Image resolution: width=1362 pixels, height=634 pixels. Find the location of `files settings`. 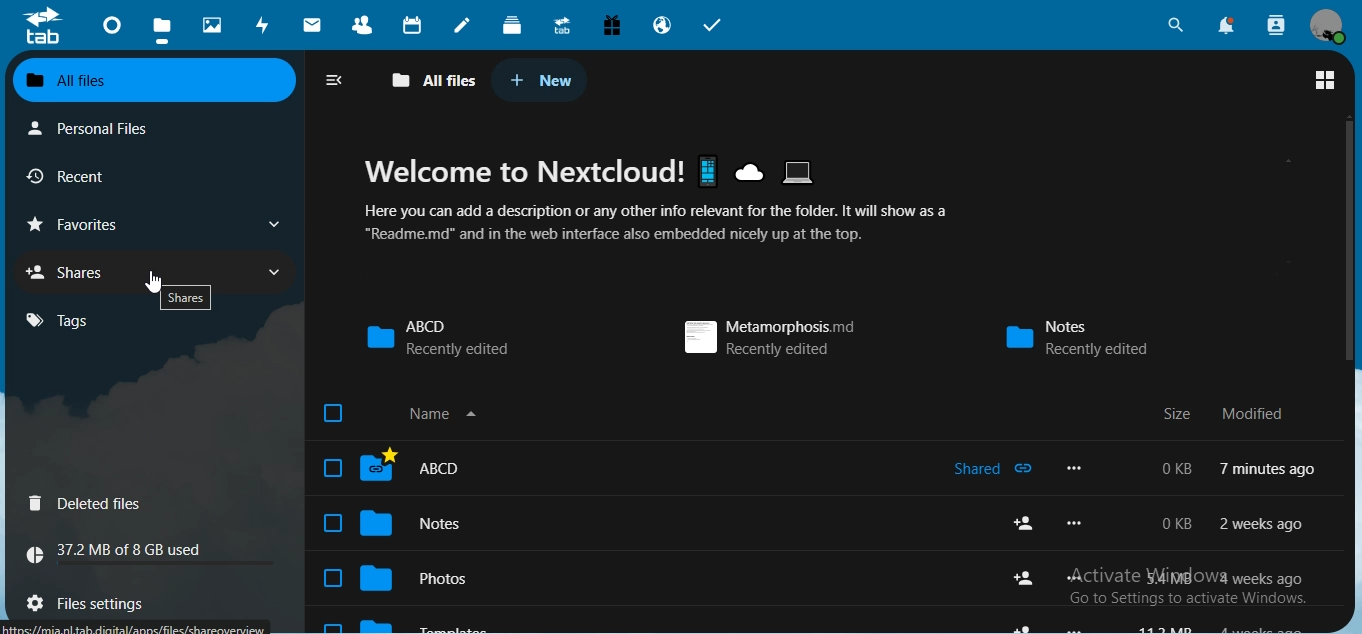

files settings is located at coordinates (117, 600).